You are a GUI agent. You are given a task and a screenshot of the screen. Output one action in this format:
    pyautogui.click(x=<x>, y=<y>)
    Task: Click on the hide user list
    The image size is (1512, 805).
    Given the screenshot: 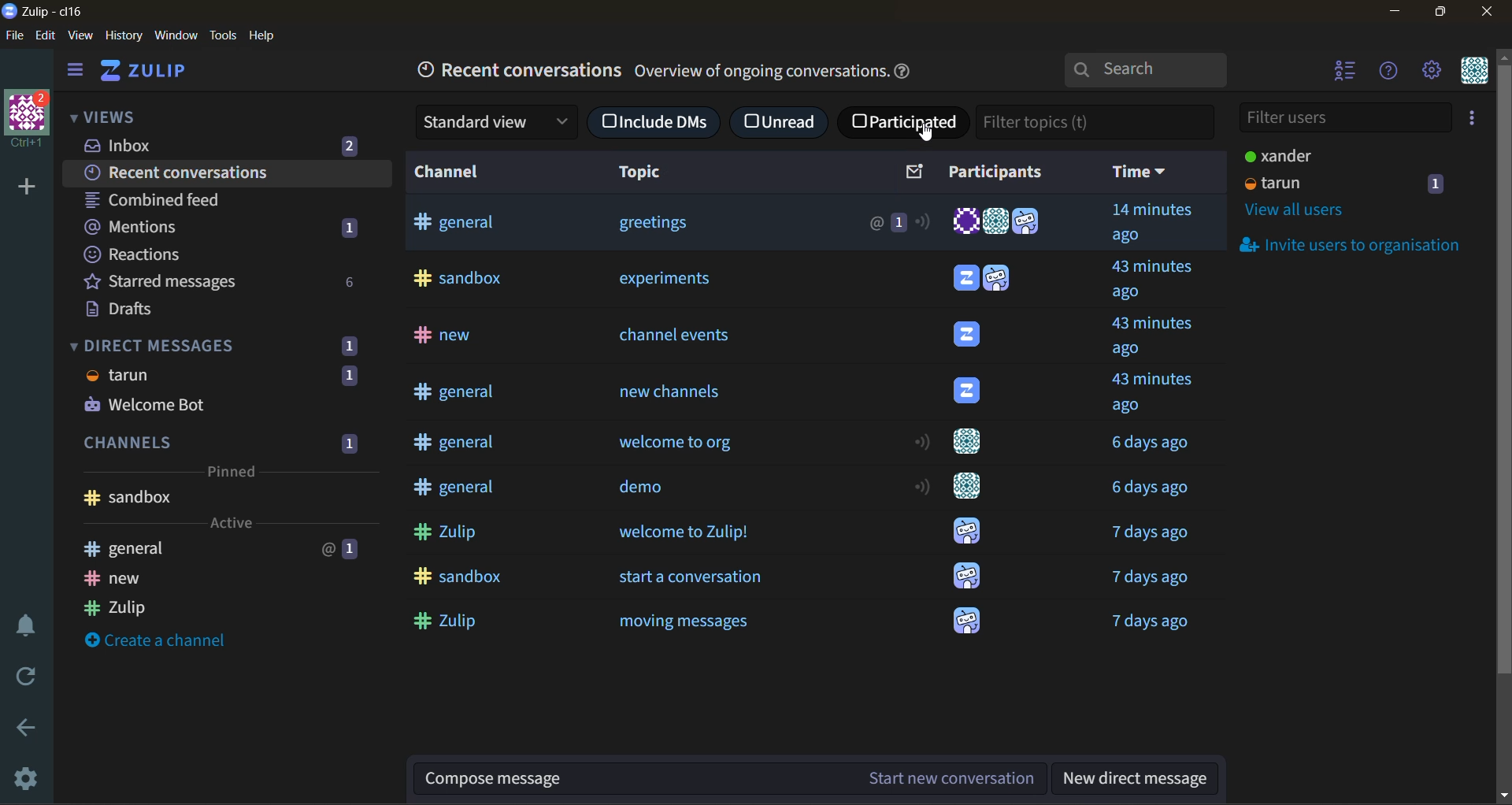 What is the action you would take?
    pyautogui.click(x=1350, y=72)
    